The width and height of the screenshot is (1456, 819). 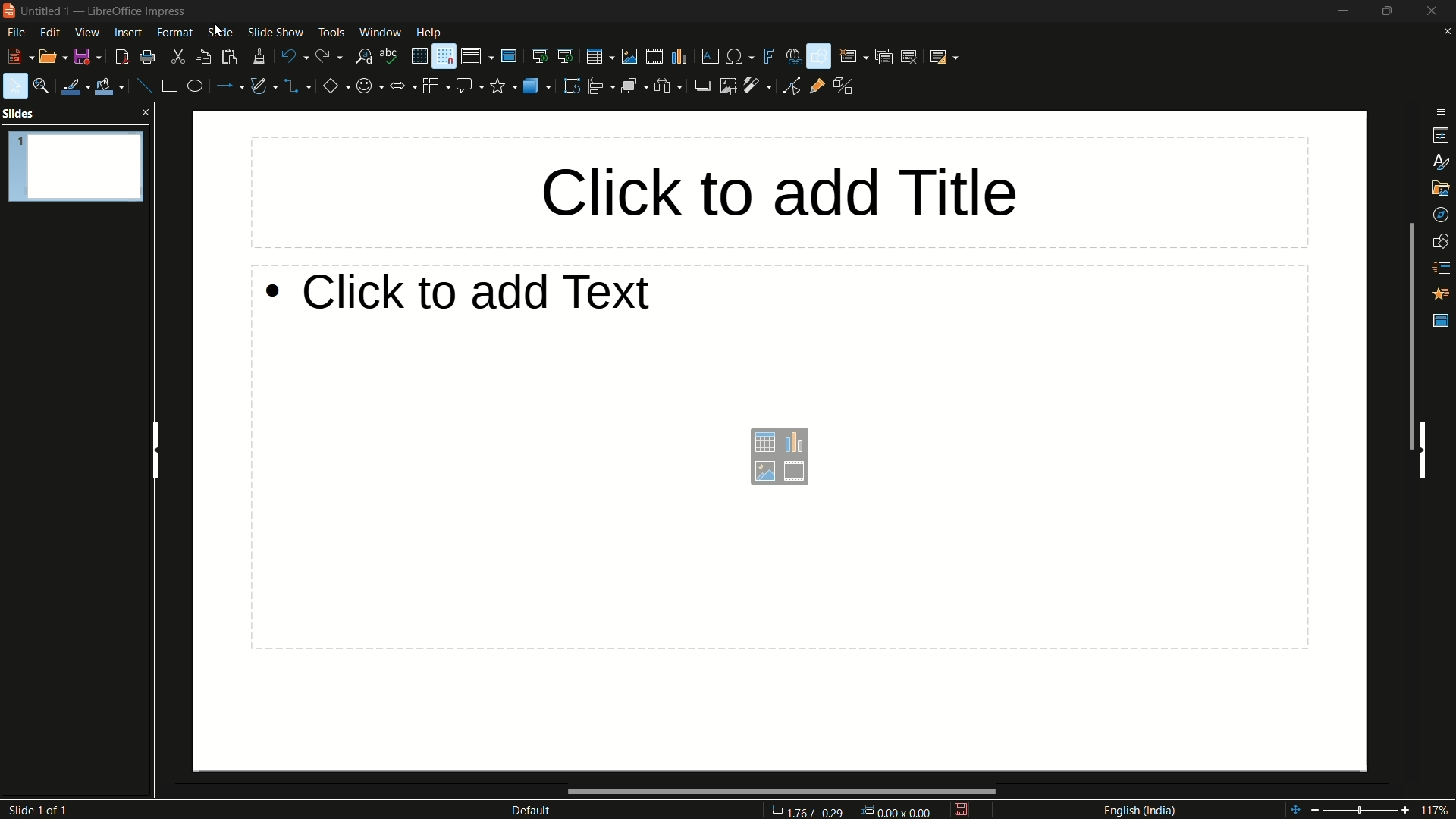 I want to click on toggle point edit mode, so click(x=791, y=88).